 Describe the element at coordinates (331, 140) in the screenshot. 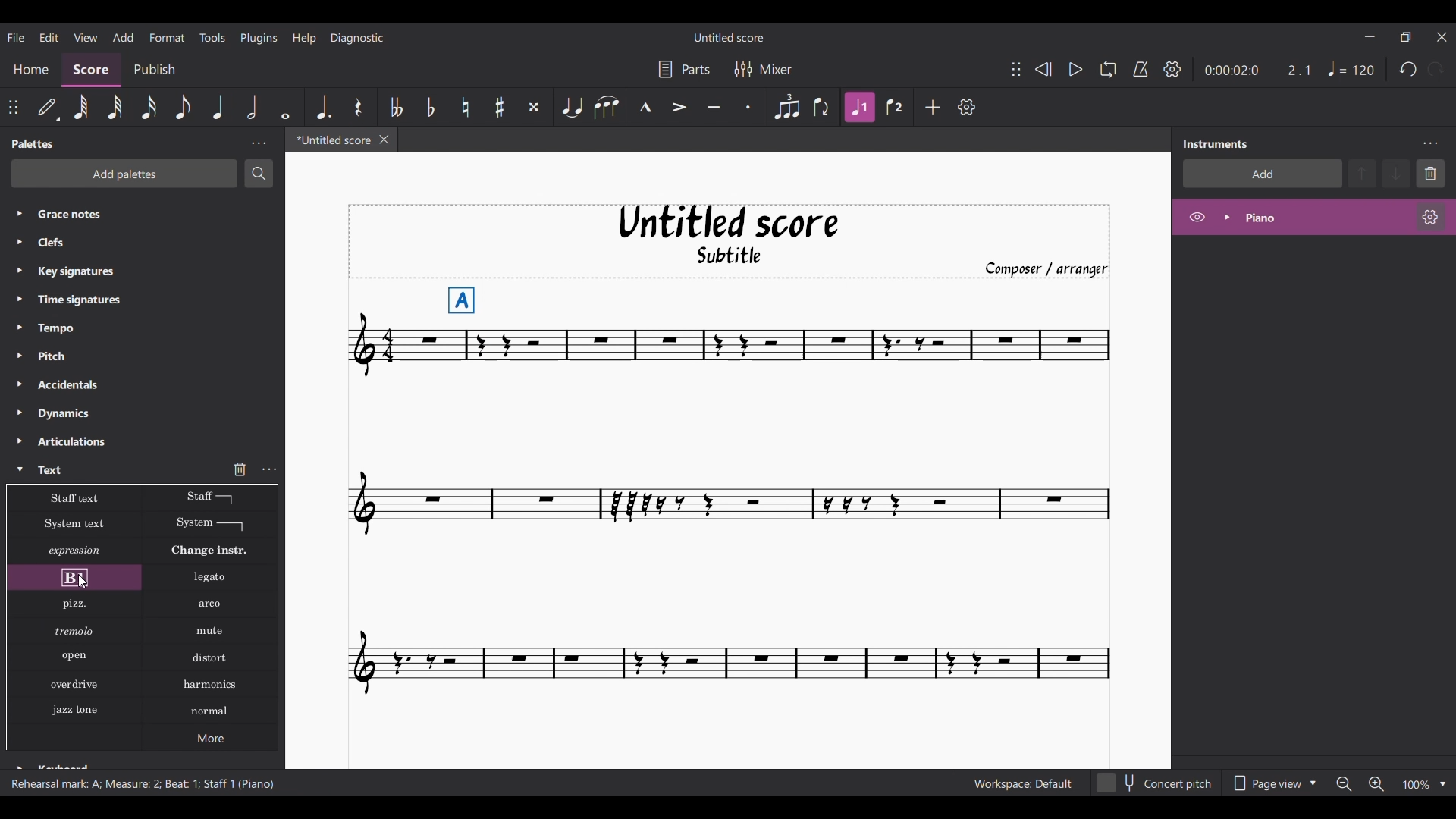

I see `Current tab` at that location.